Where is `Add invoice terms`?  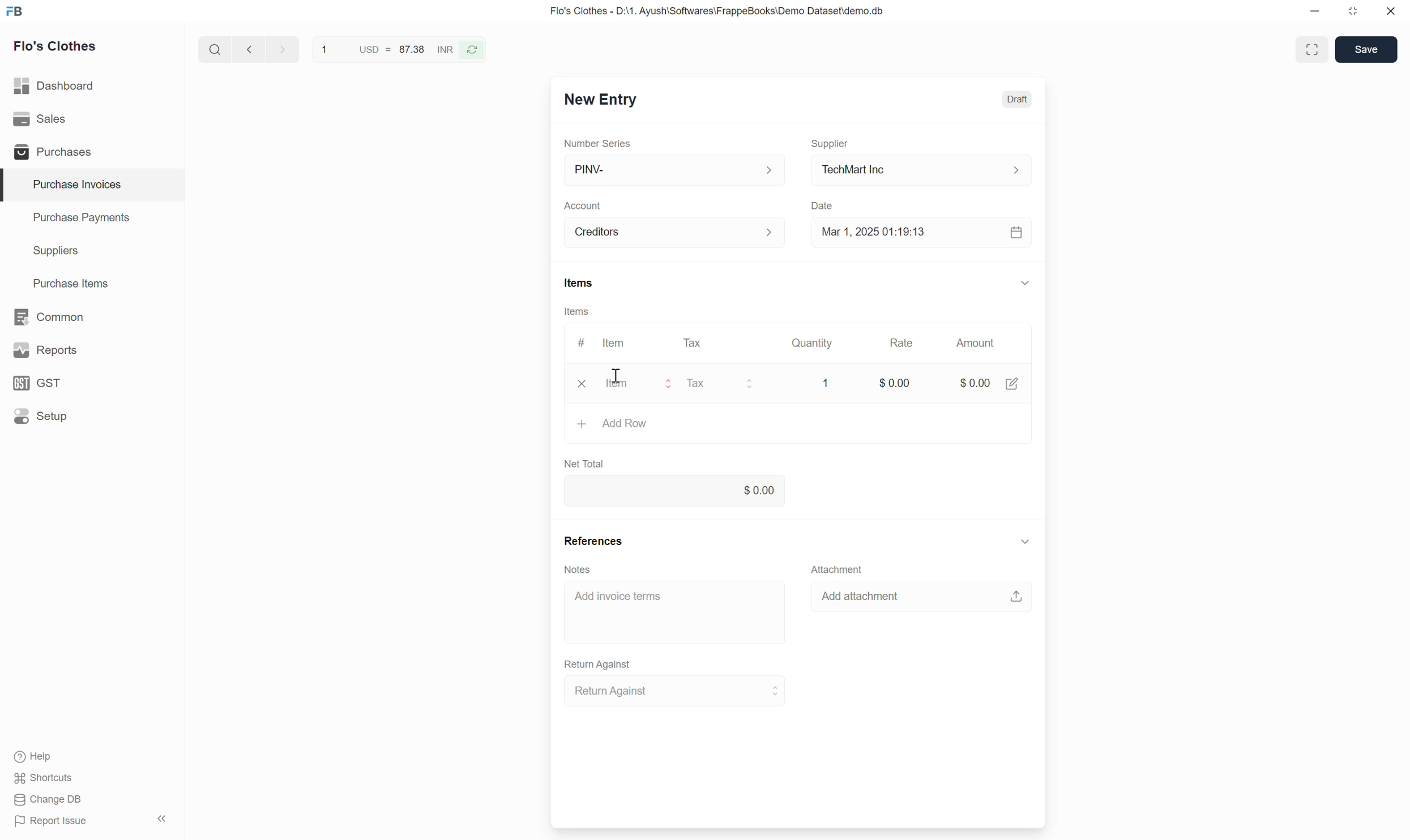
Add invoice terms is located at coordinates (675, 611).